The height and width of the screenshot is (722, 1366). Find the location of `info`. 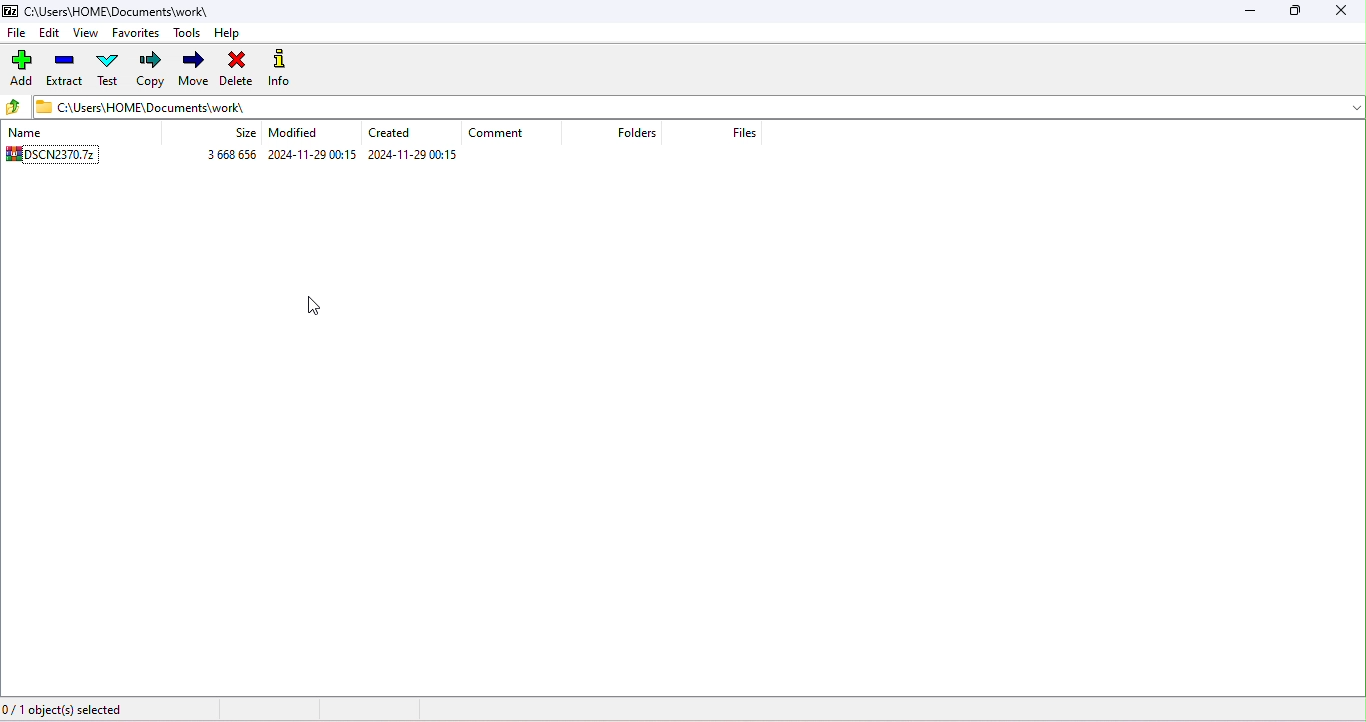

info is located at coordinates (283, 67).